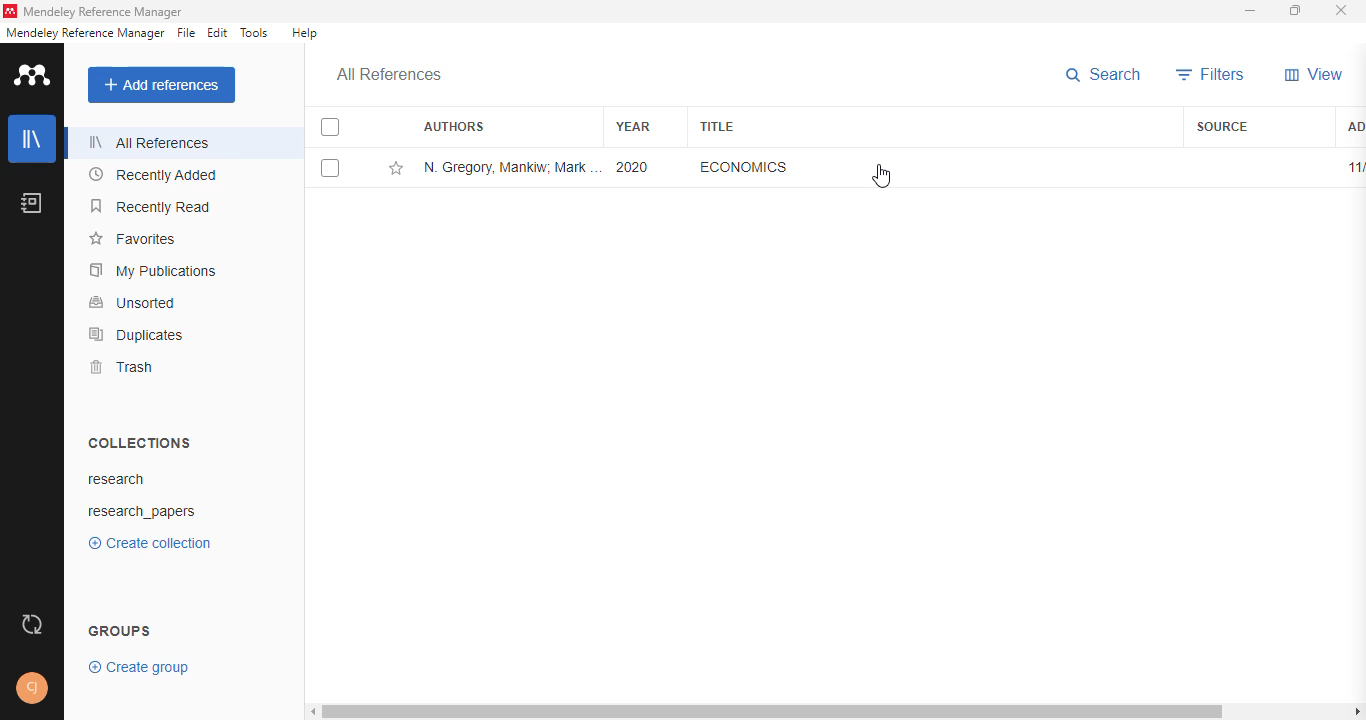 The width and height of the screenshot is (1366, 720). Describe the element at coordinates (633, 166) in the screenshot. I see `2020` at that location.